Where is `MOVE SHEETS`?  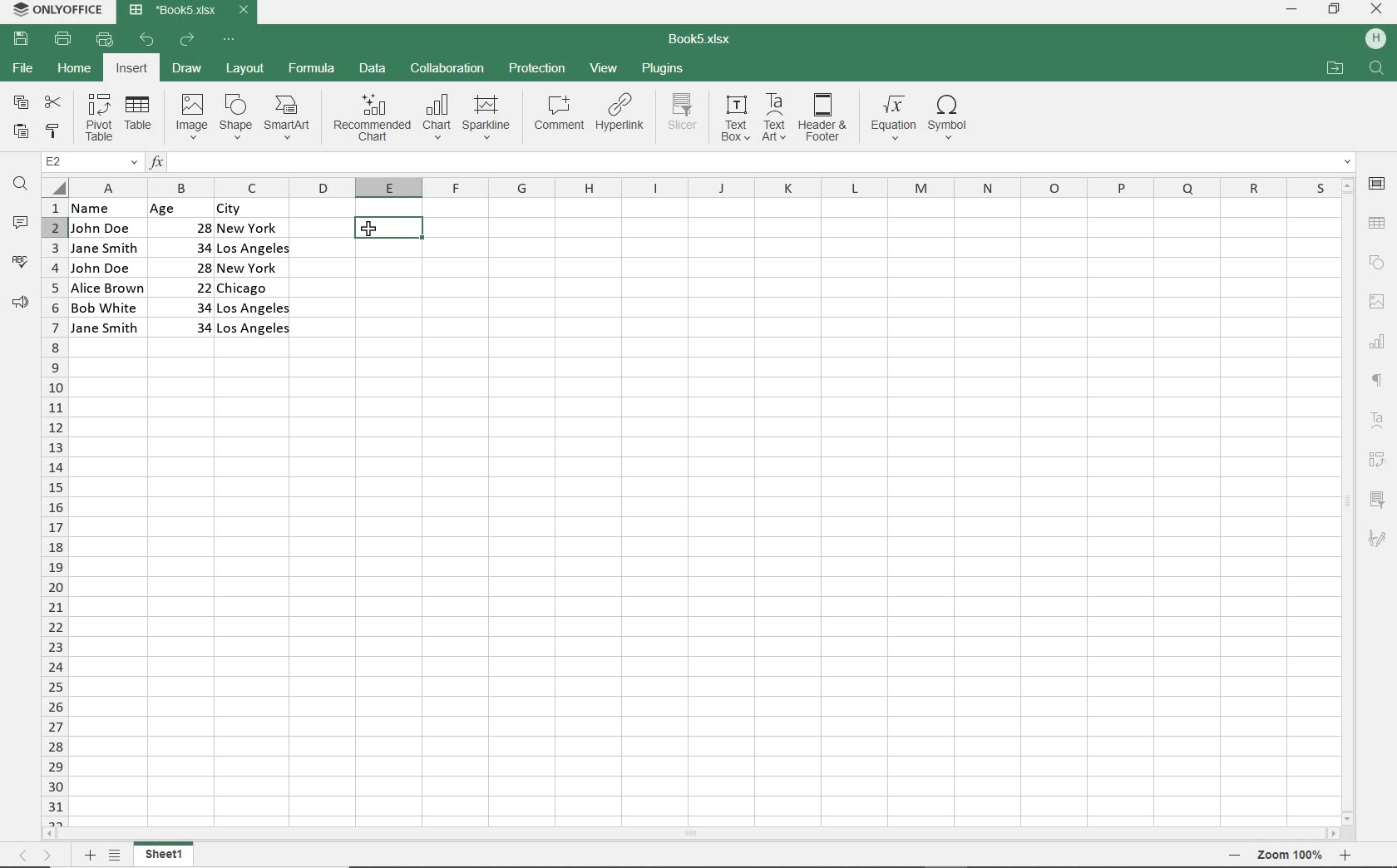 MOVE SHEETS is located at coordinates (37, 855).